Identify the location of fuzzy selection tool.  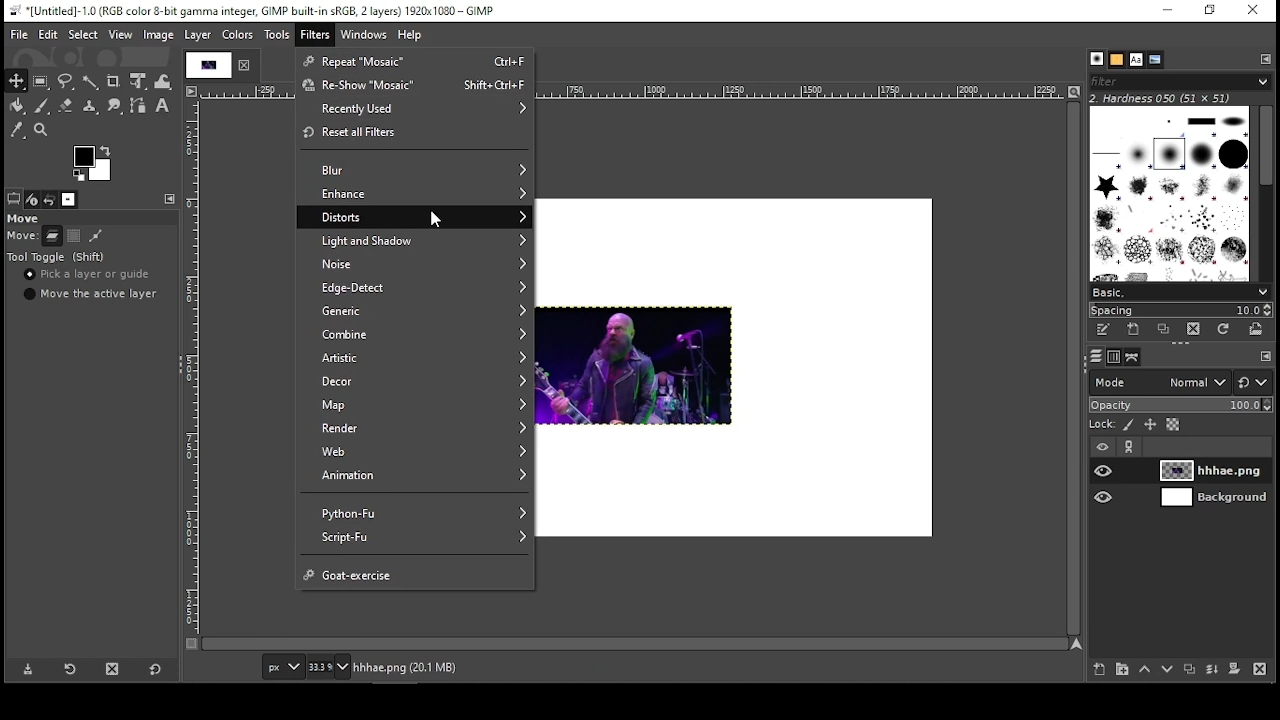
(90, 83).